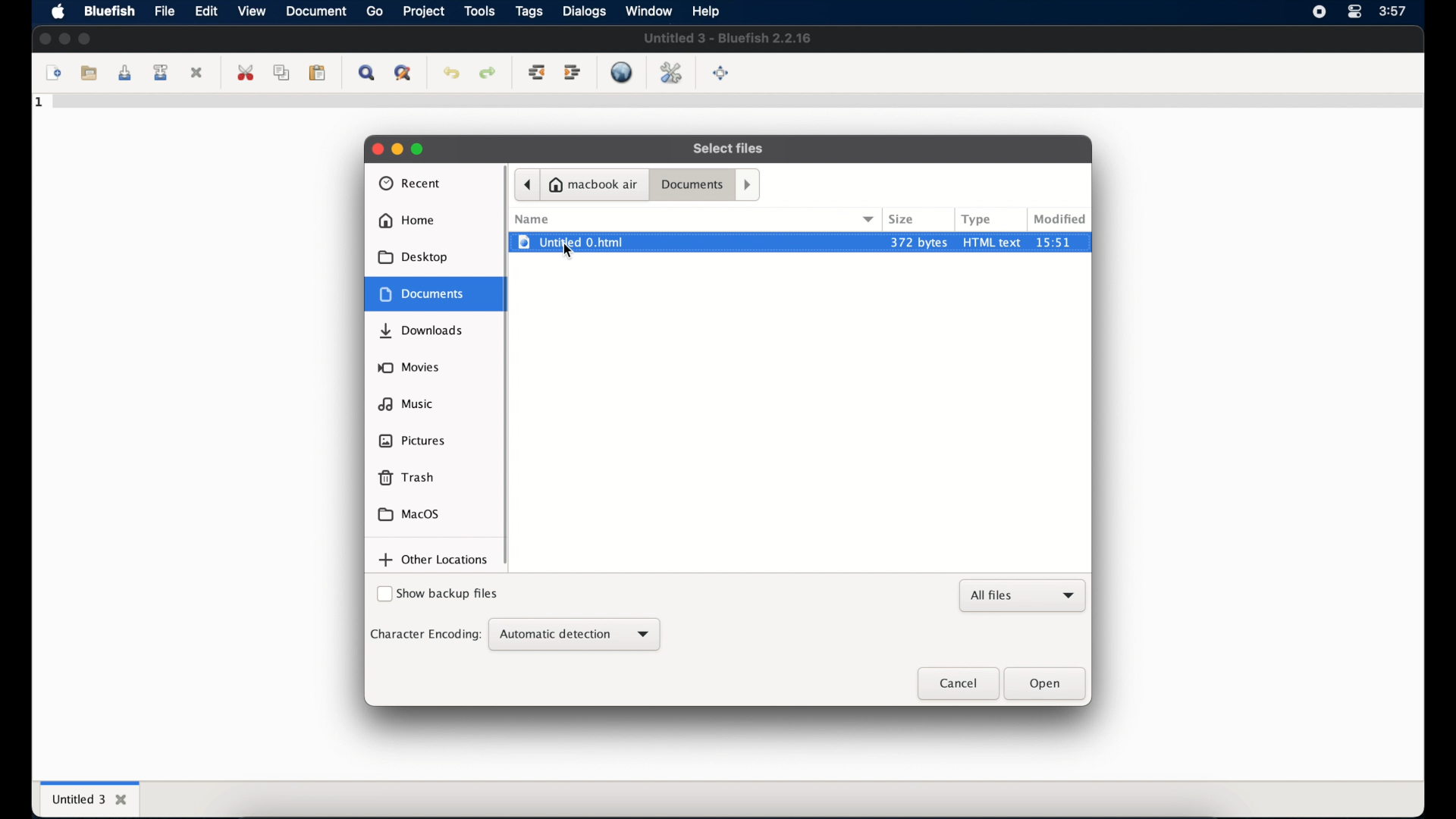  What do you see at coordinates (40, 102) in the screenshot?
I see `1` at bounding box center [40, 102].